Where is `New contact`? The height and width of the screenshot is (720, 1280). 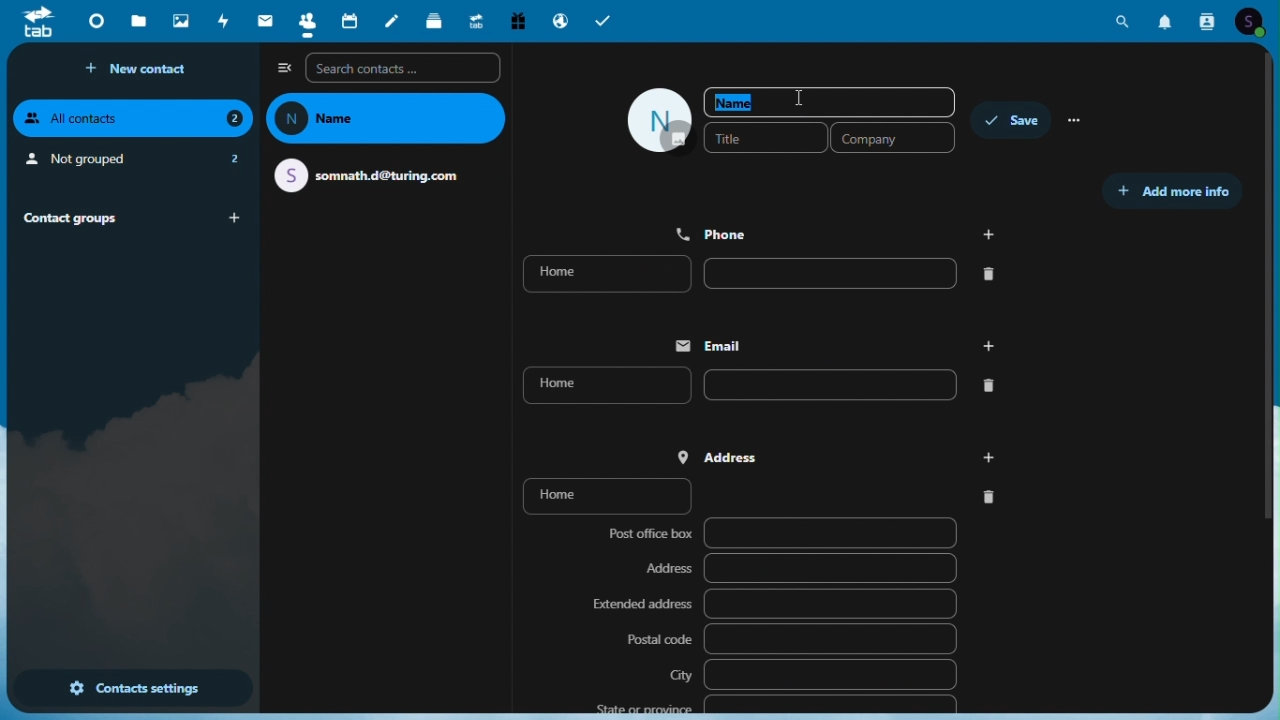
New contact is located at coordinates (142, 69).